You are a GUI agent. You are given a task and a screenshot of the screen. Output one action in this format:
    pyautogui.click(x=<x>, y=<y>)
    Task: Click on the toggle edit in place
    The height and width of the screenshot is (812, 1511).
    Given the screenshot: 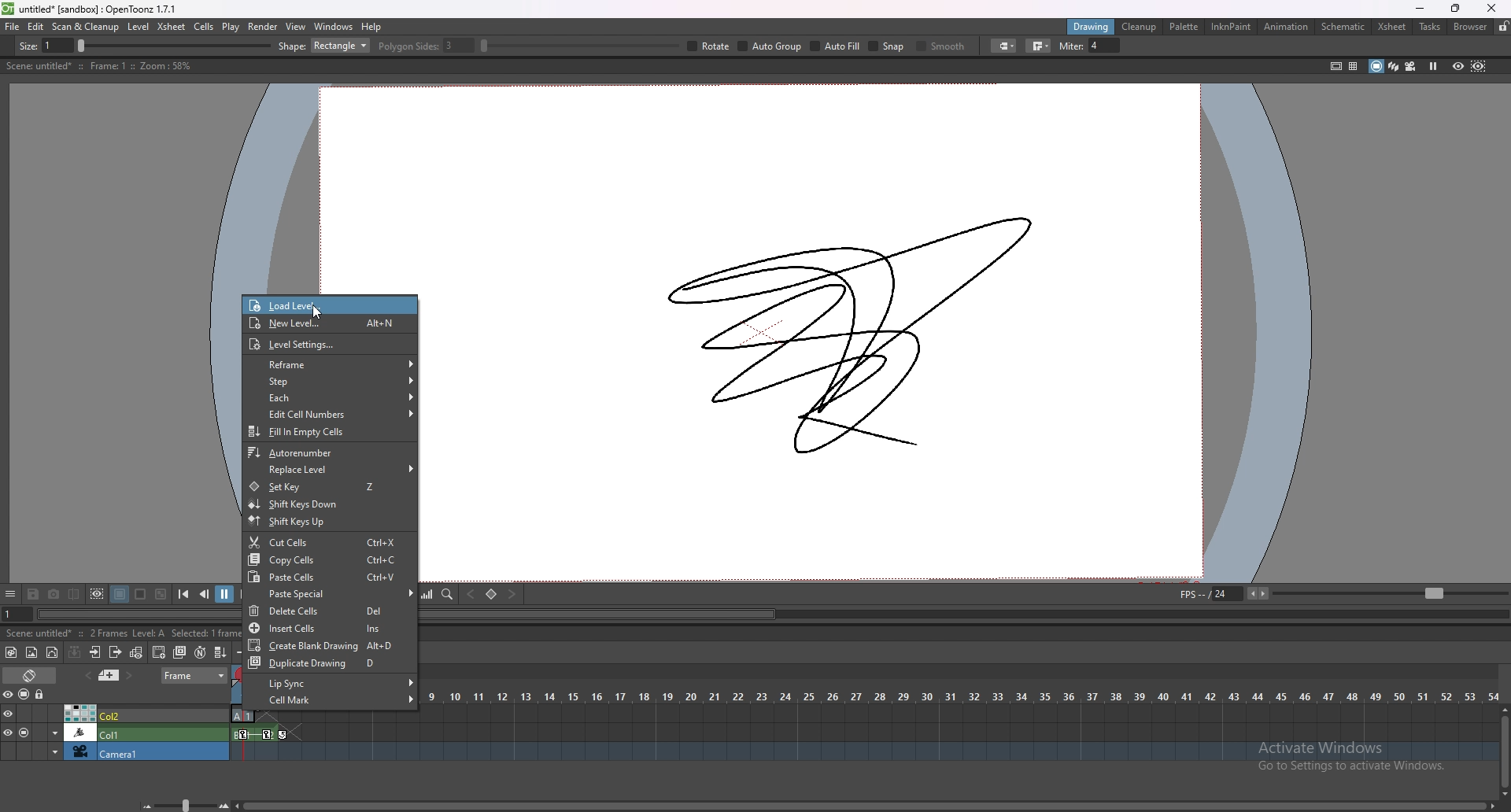 What is the action you would take?
    pyautogui.click(x=136, y=652)
    